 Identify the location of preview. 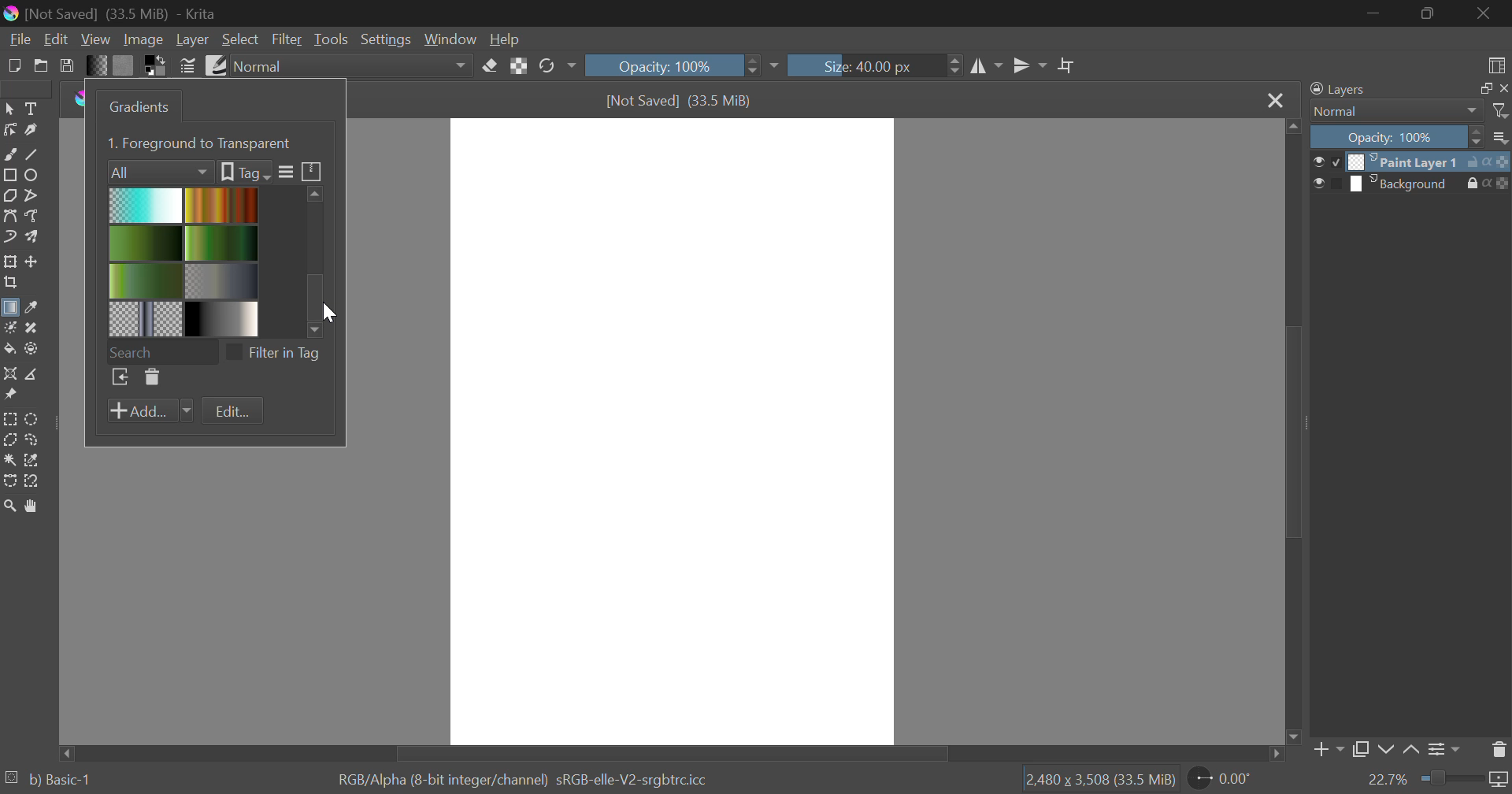
(1327, 161).